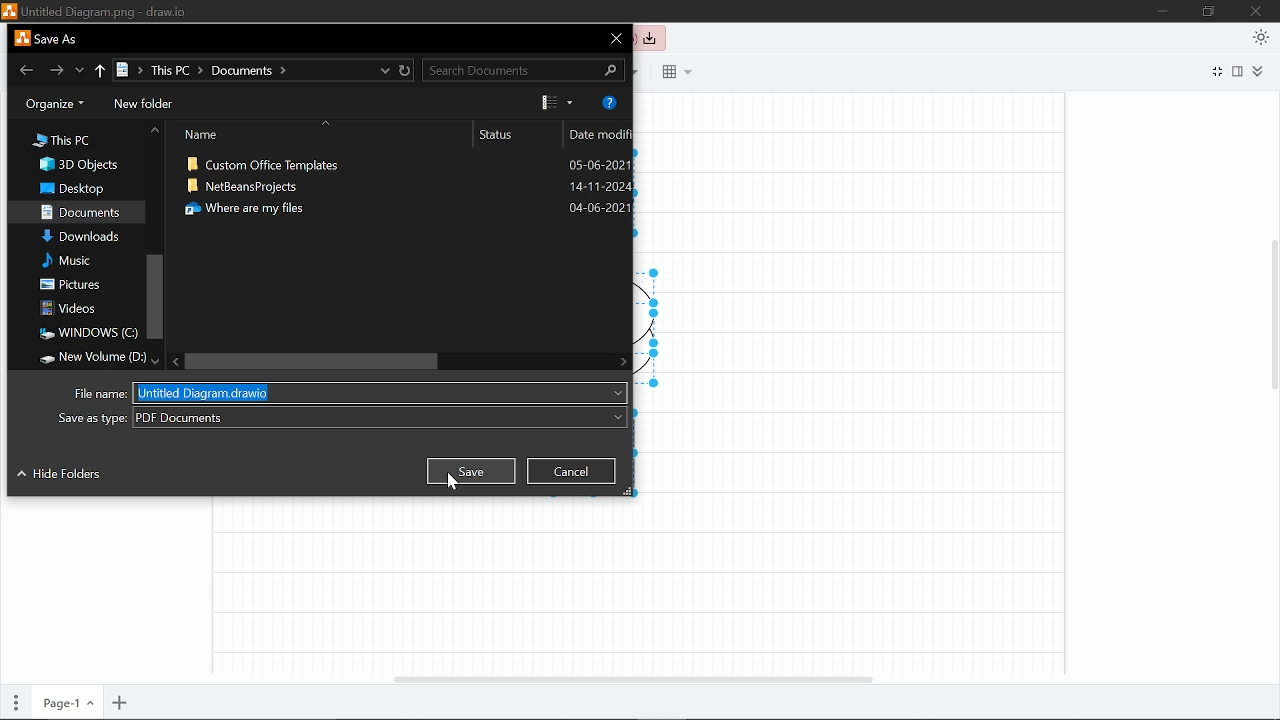 Image resolution: width=1280 pixels, height=720 pixels. Describe the element at coordinates (82, 70) in the screenshot. I see `previous locations` at that location.